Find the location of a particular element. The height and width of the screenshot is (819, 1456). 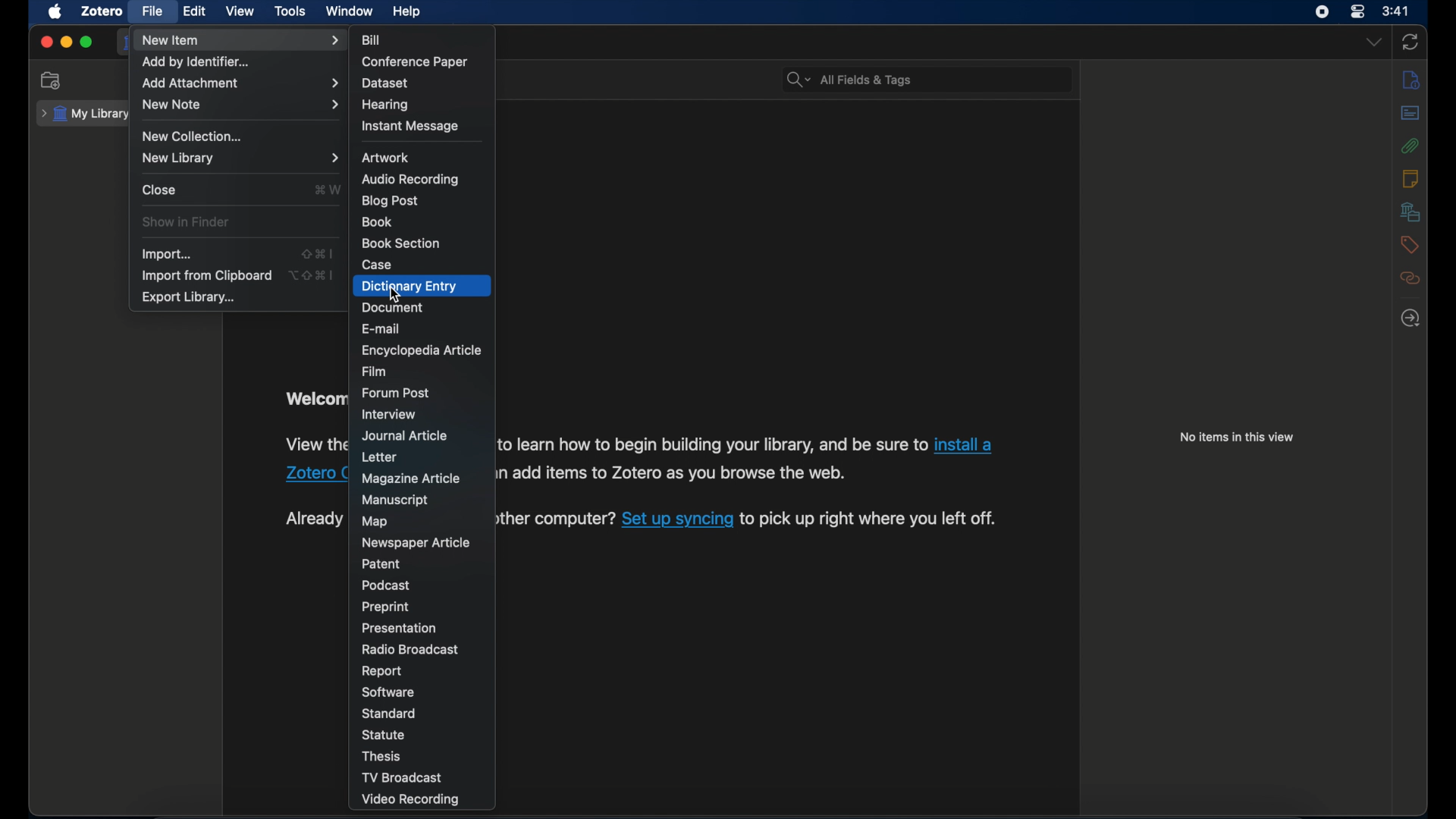

patent is located at coordinates (381, 563).